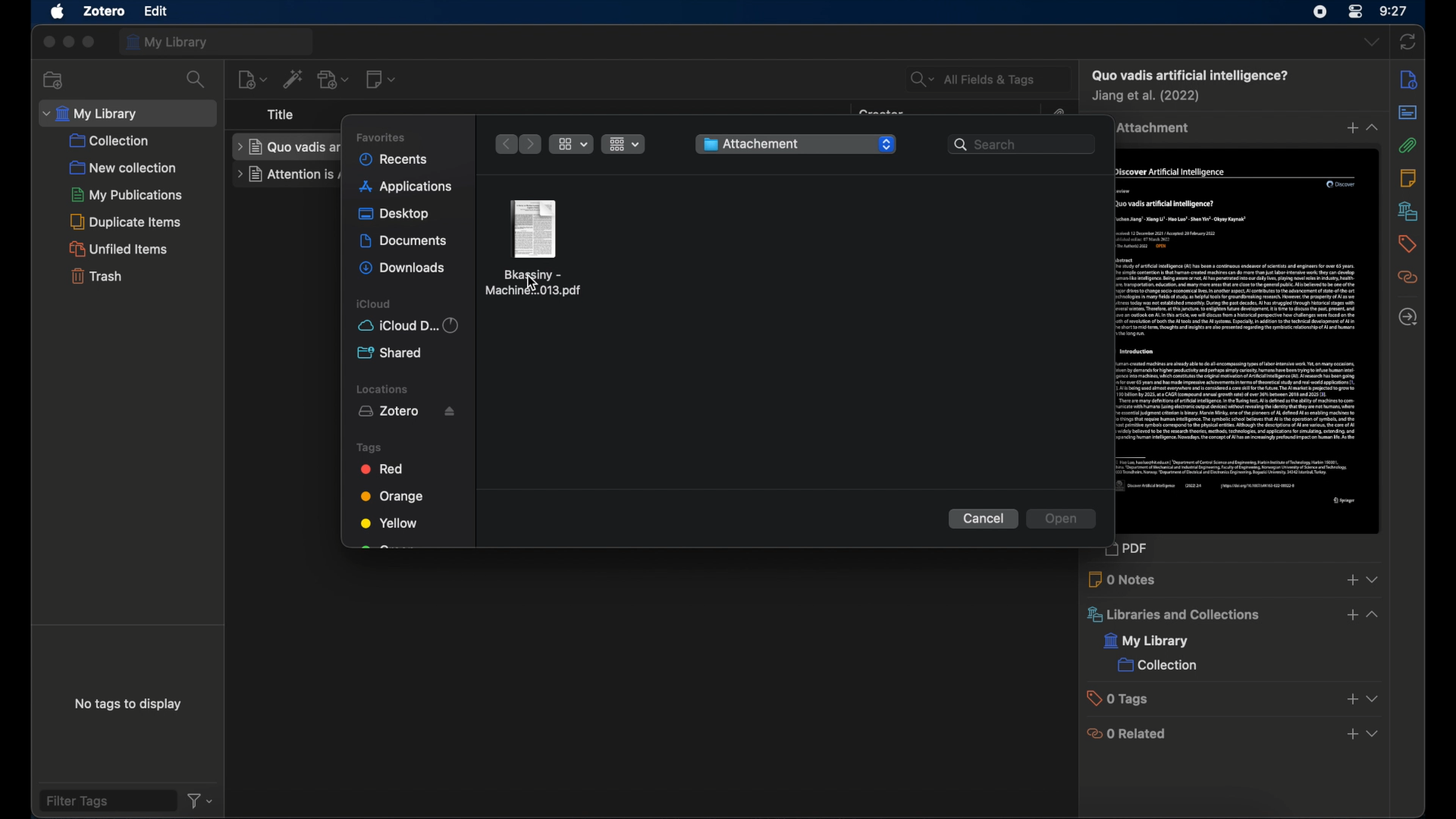 Image resolution: width=1456 pixels, height=819 pixels. What do you see at coordinates (1147, 642) in the screenshot?
I see `my library` at bounding box center [1147, 642].